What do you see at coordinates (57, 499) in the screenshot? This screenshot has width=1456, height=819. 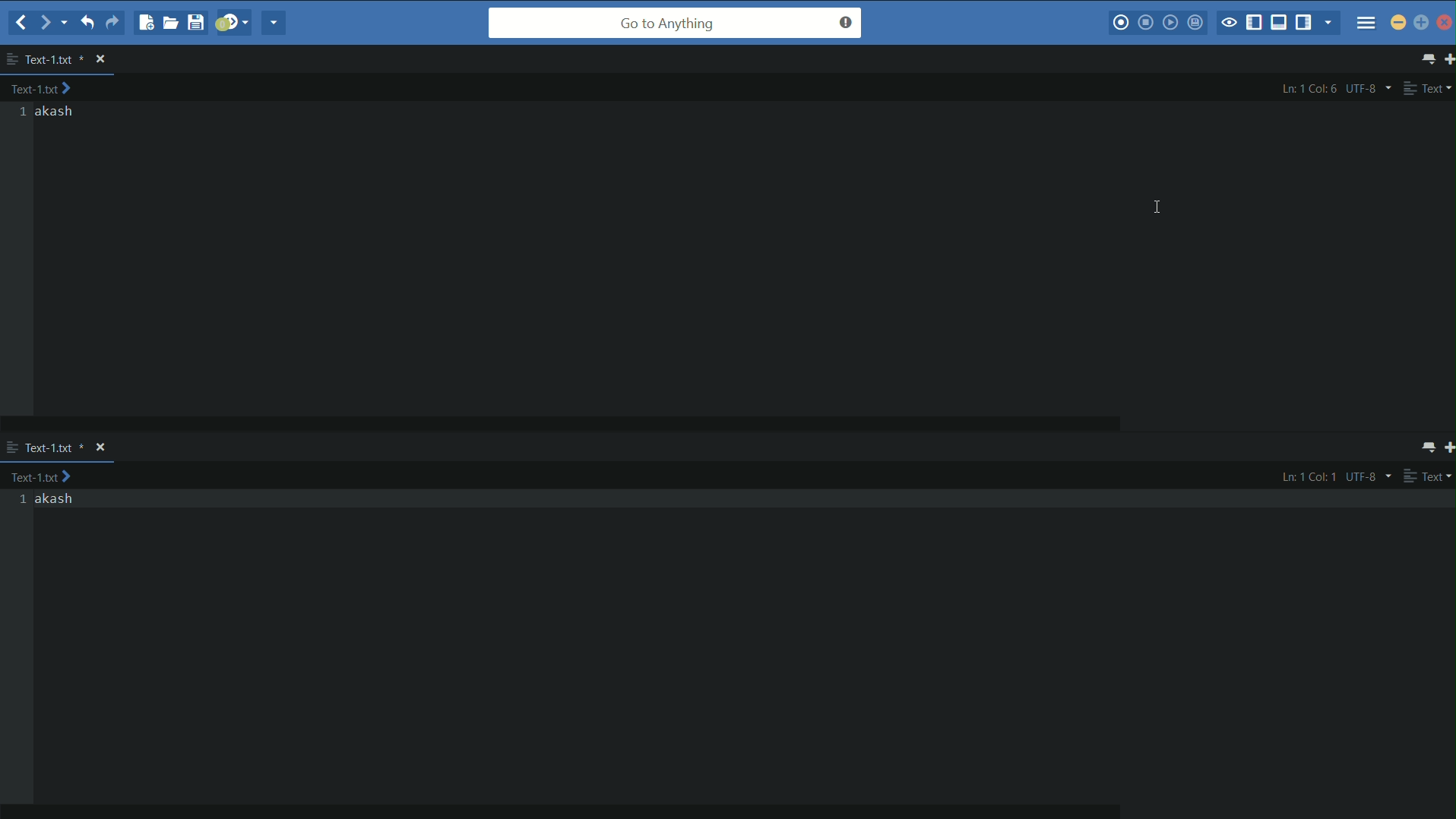 I see `Akash` at bounding box center [57, 499].